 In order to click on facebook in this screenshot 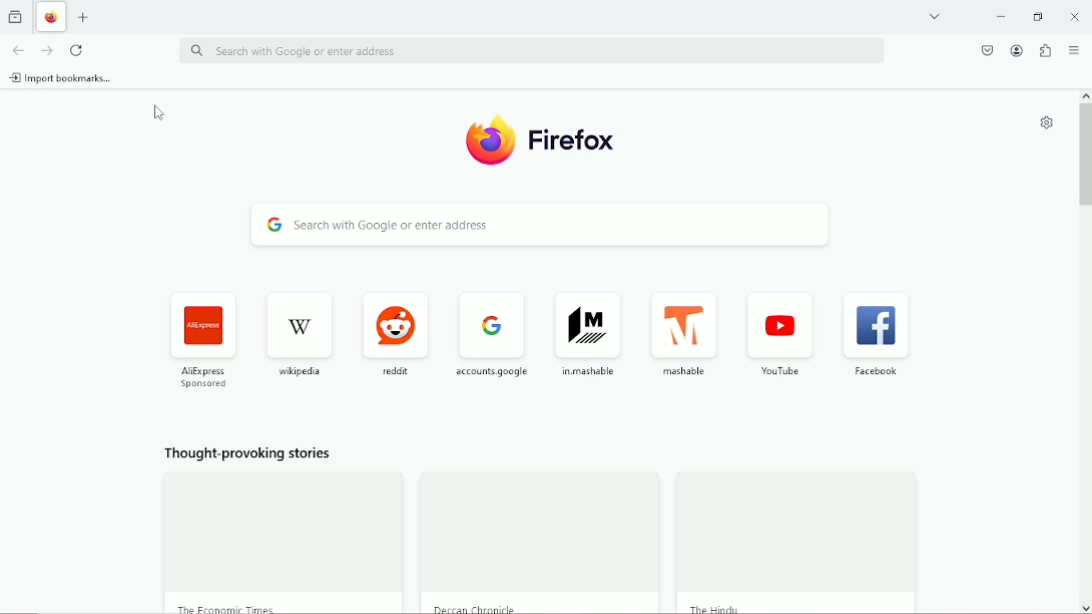, I will do `click(879, 338)`.